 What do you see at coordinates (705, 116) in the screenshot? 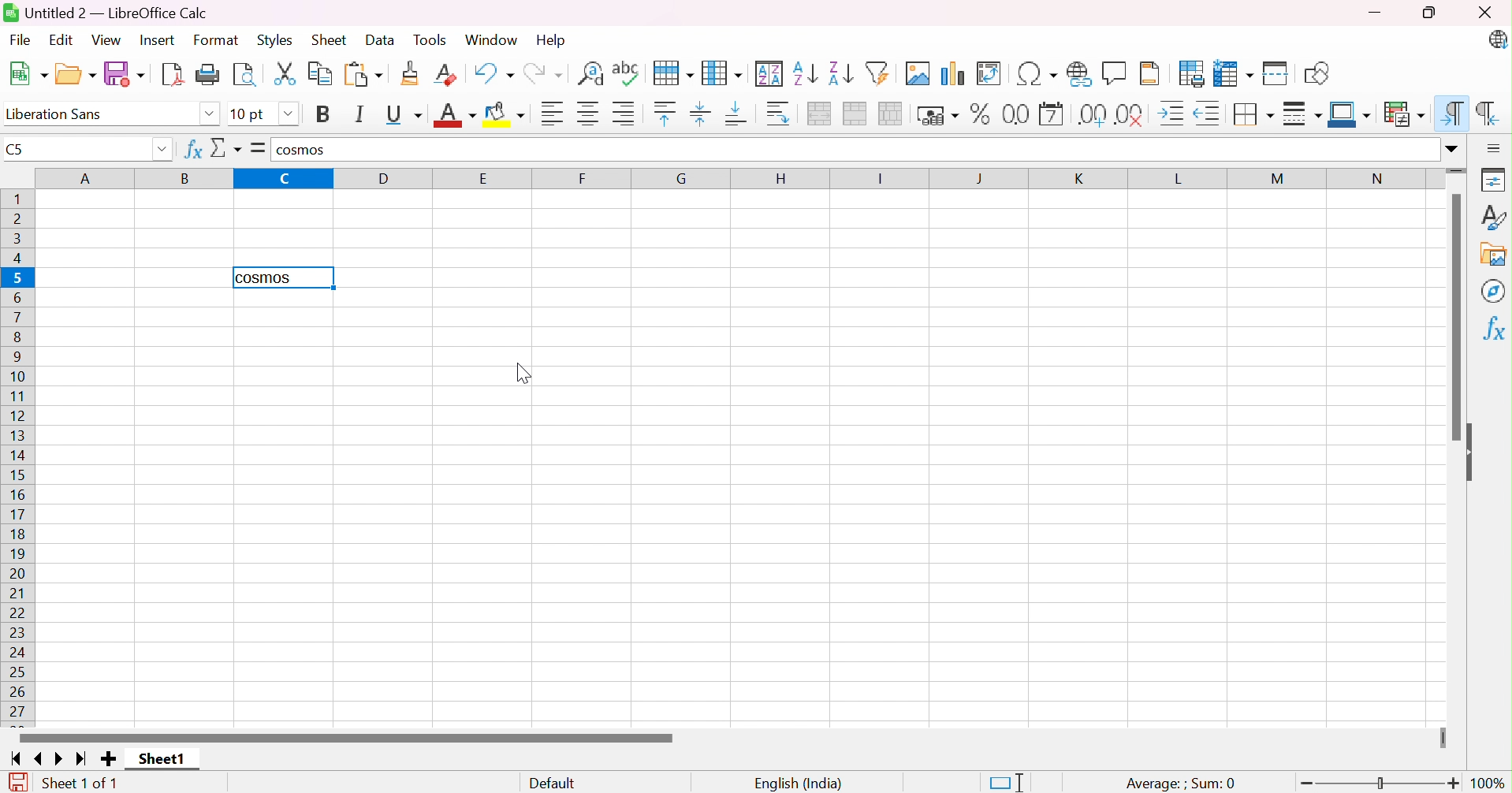
I see `Center Vertically` at bounding box center [705, 116].